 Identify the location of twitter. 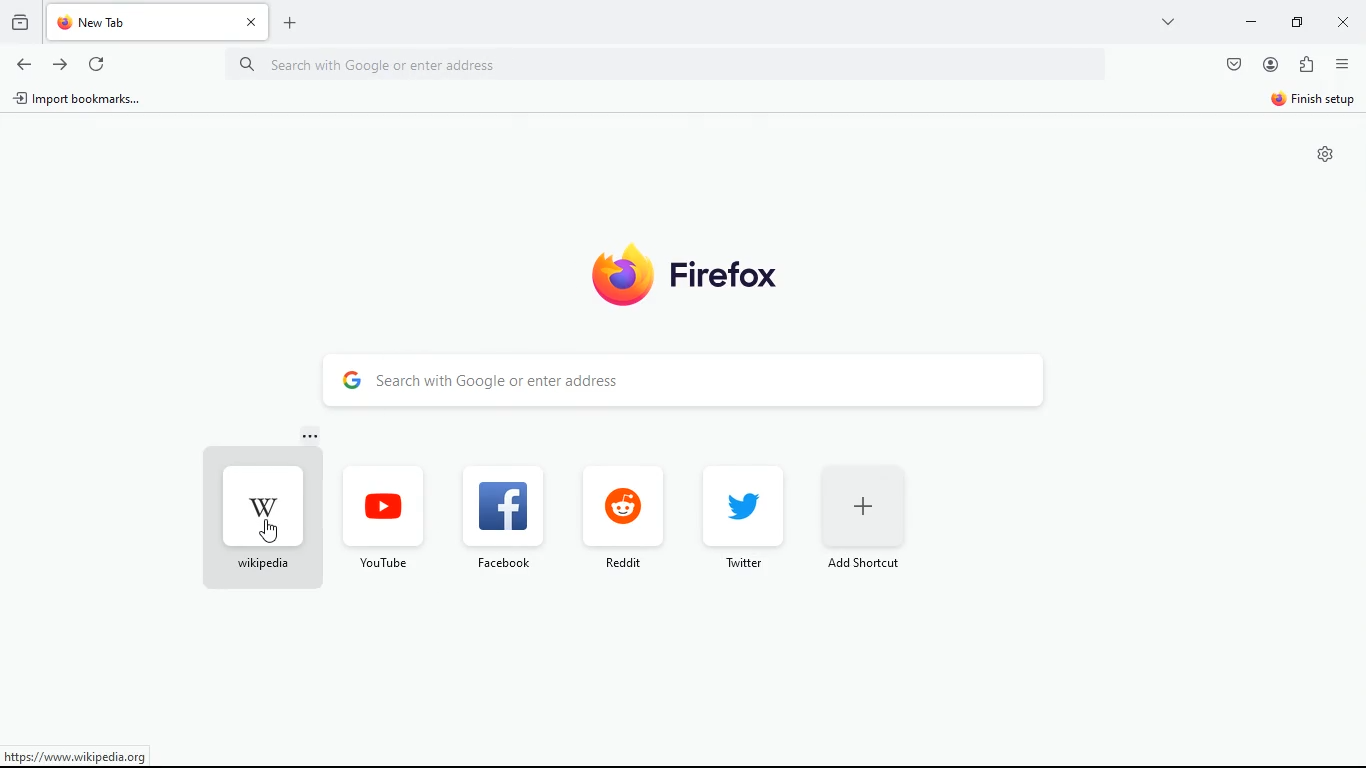
(738, 563).